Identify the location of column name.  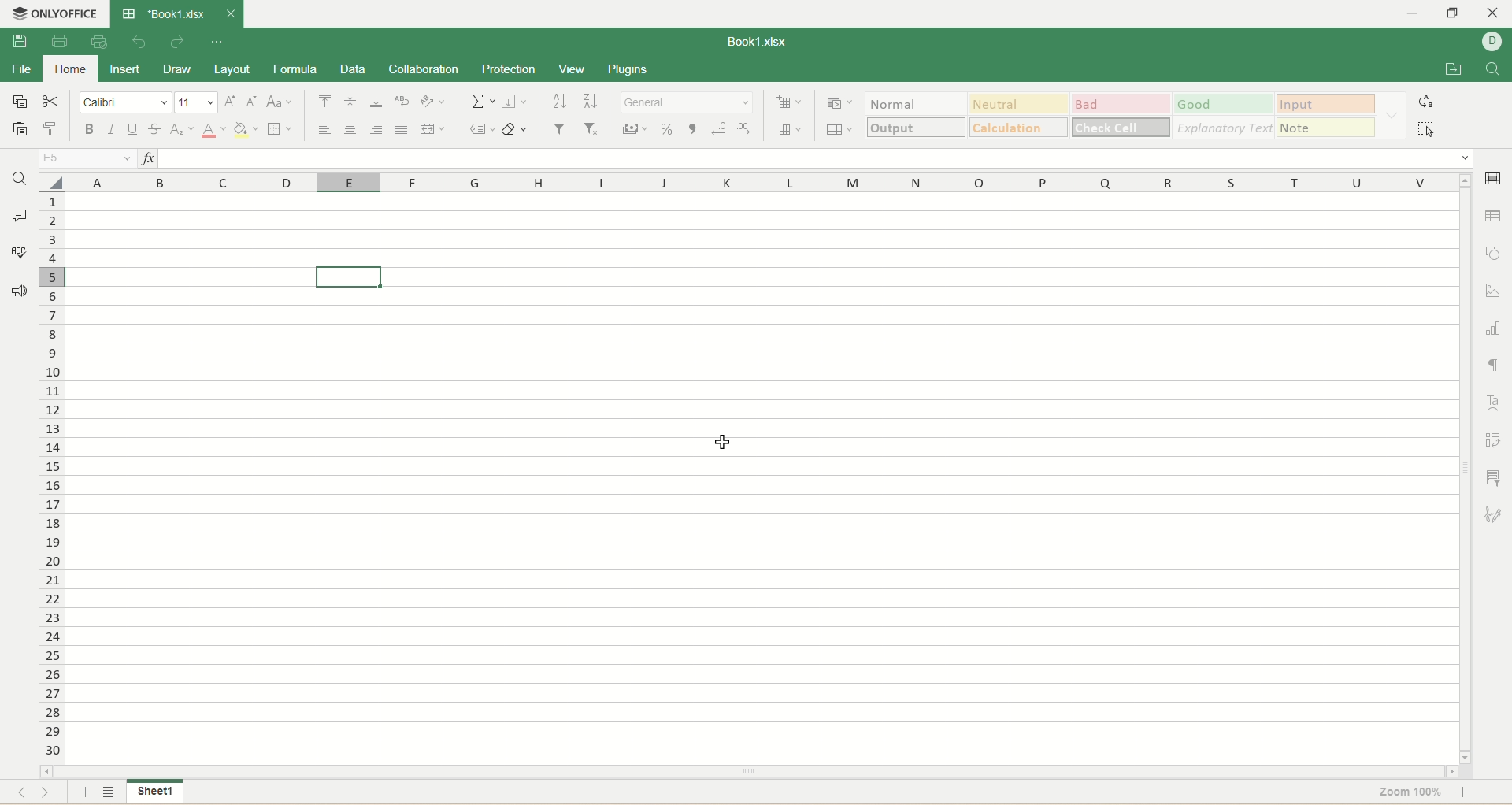
(765, 179).